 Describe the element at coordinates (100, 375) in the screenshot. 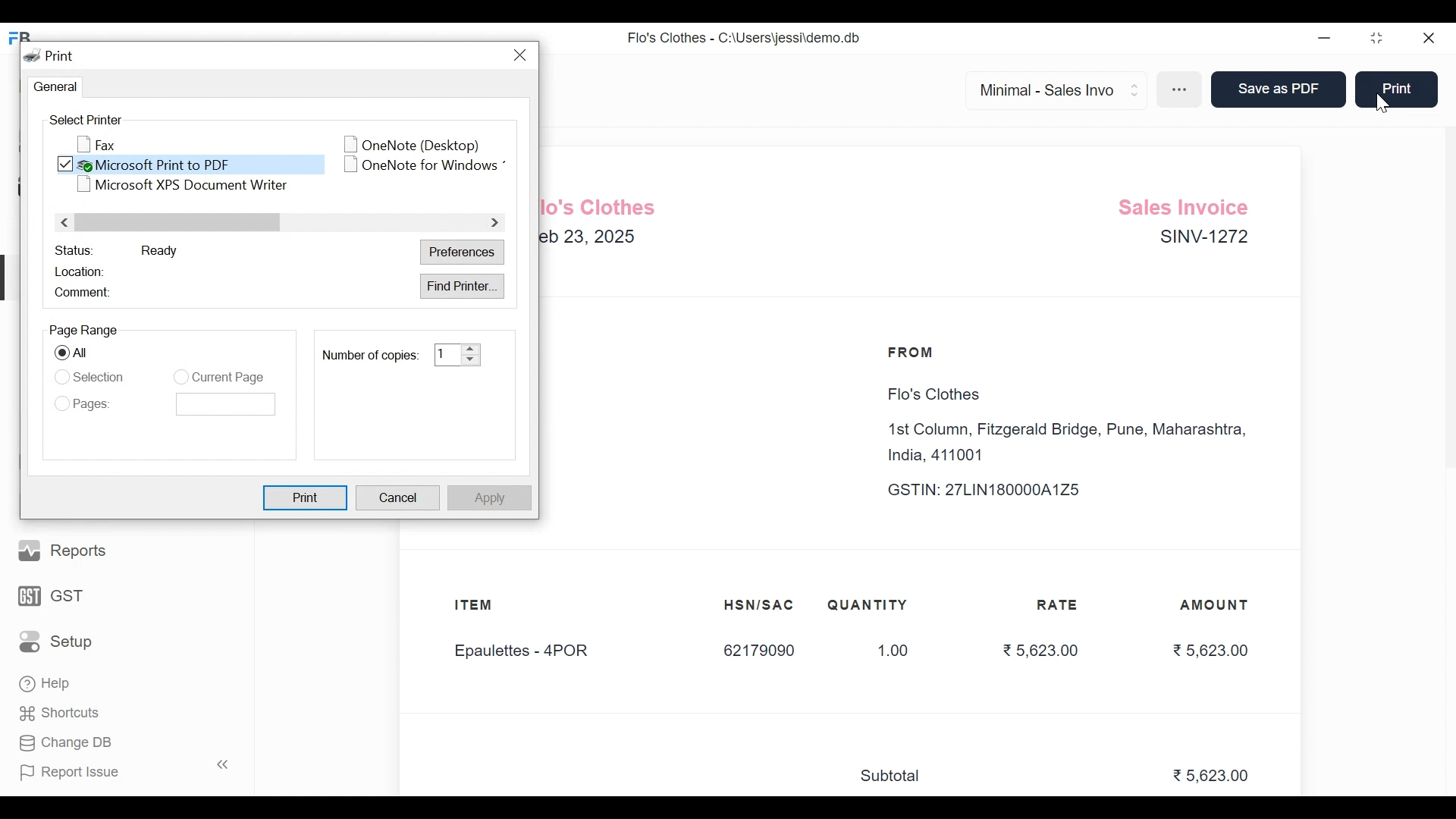

I see `Selection` at that location.